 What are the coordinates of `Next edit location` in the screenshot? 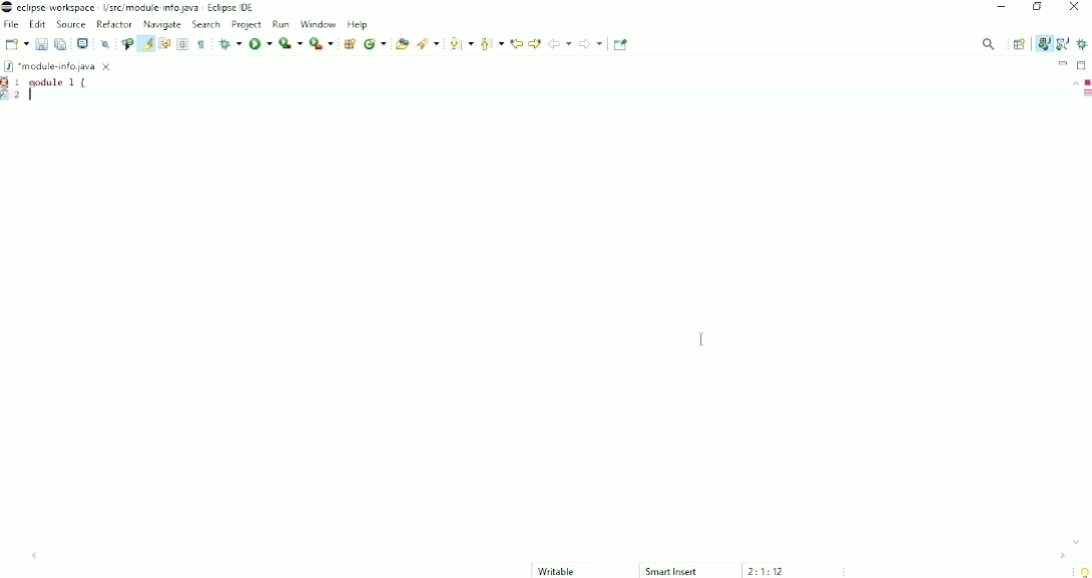 It's located at (535, 42).